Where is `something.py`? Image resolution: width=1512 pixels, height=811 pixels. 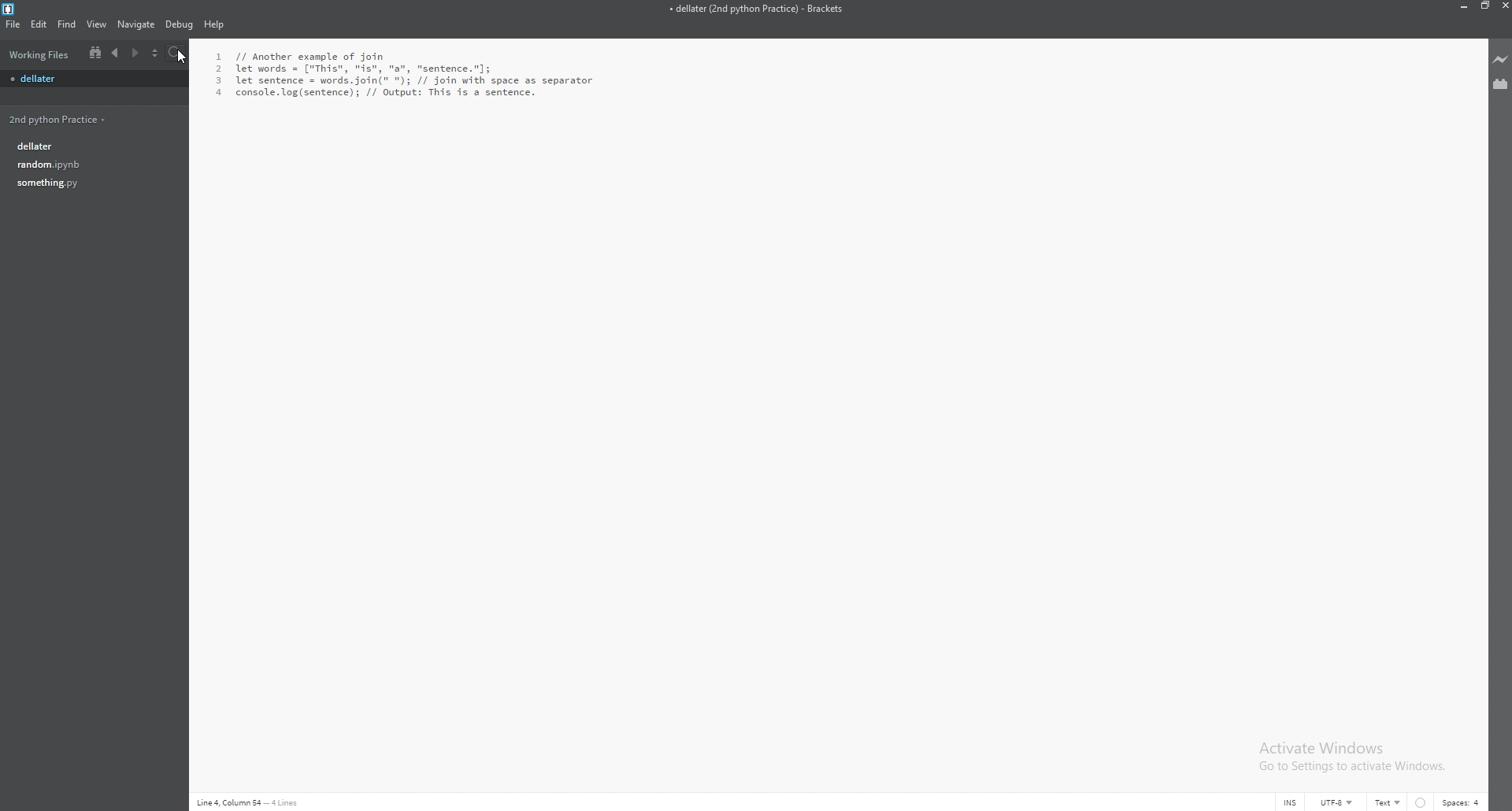 something.py is located at coordinates (90, 183).